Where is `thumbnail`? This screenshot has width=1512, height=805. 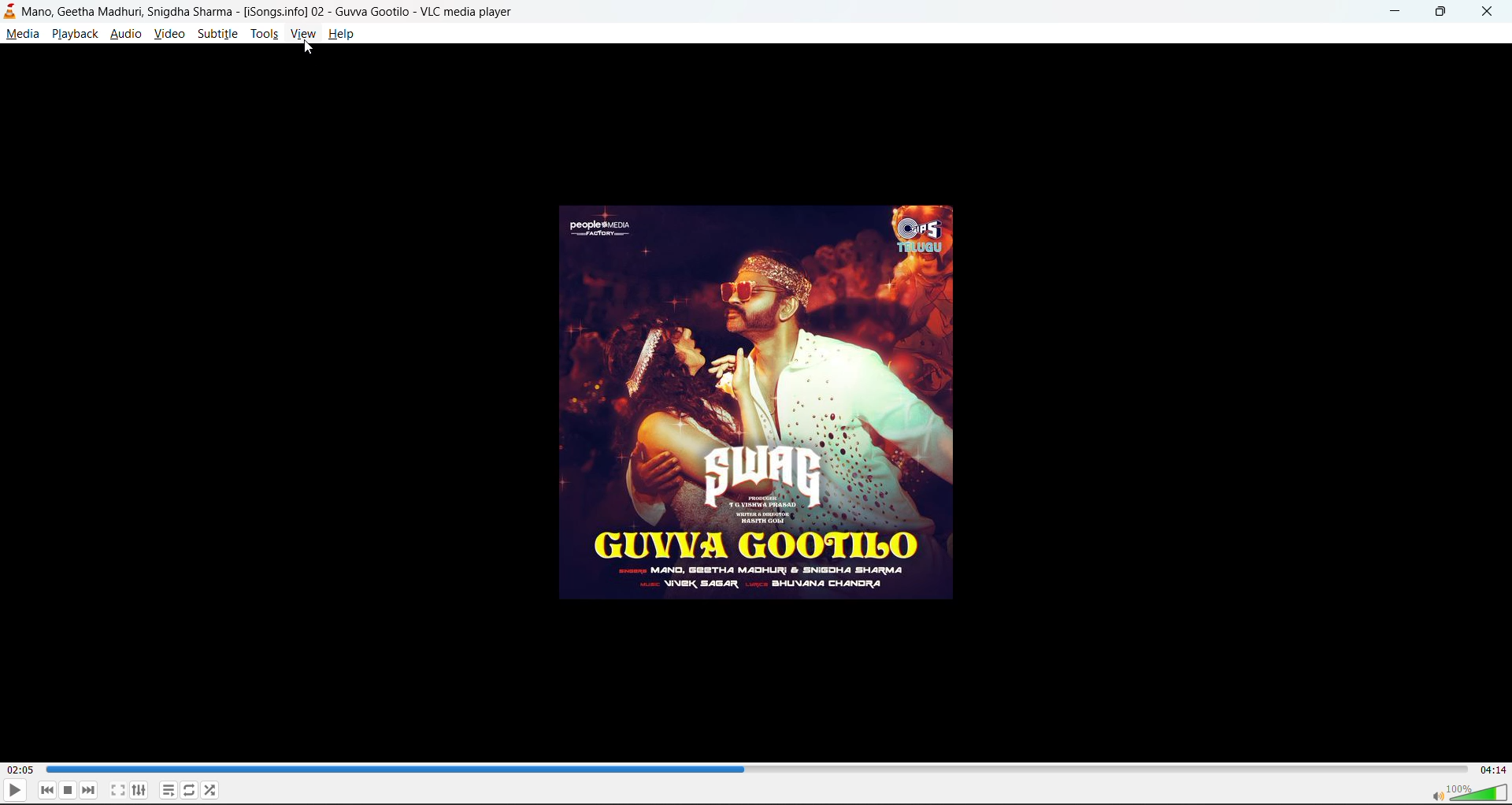 thumbnail is located at coordinates (761, 406).